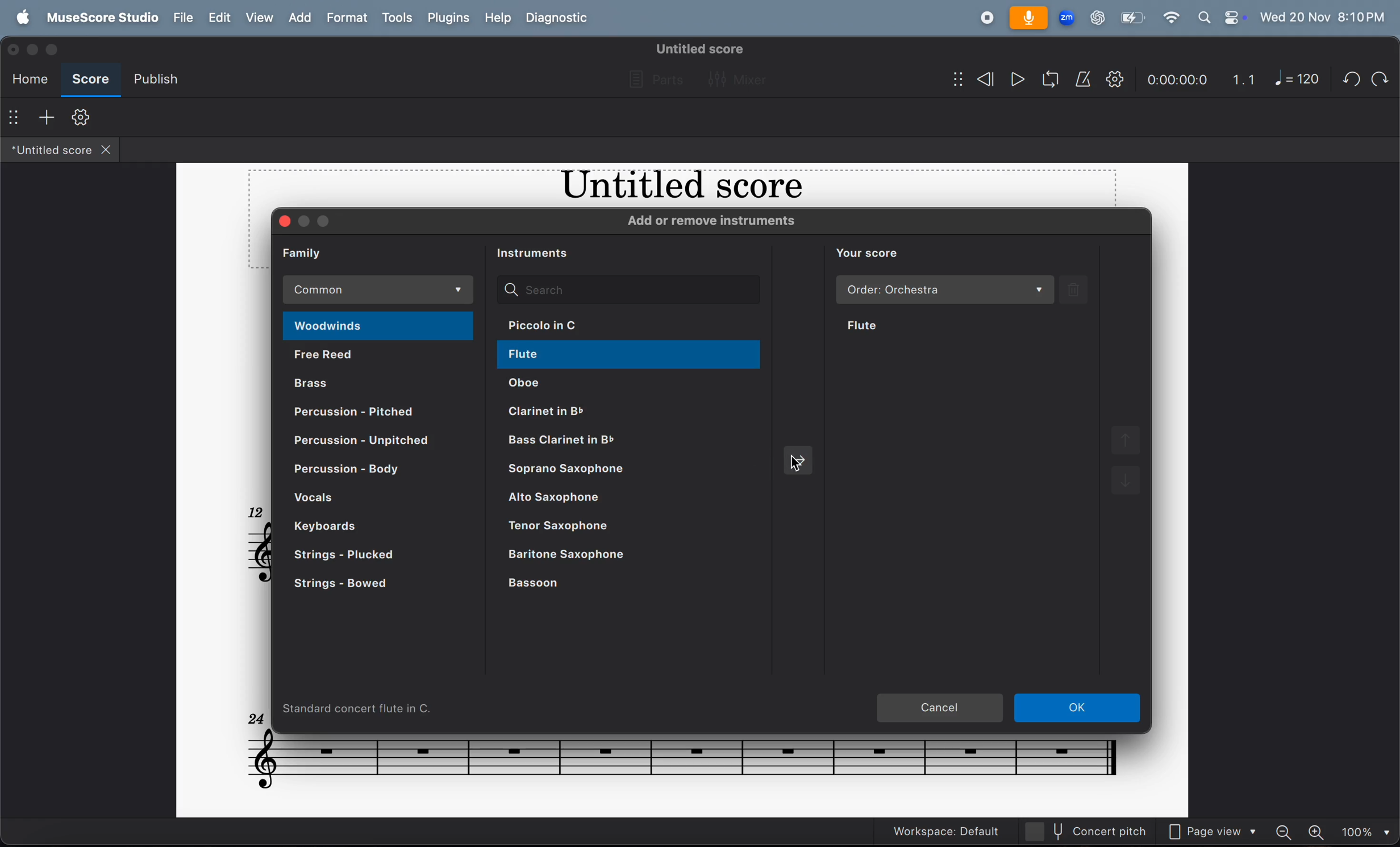 The width and height of the screenshot is (1400, 847). What do you see at coordinates (1239, 79) in the screenshot?
I see `1.1` at bounding box center [1239, 79].